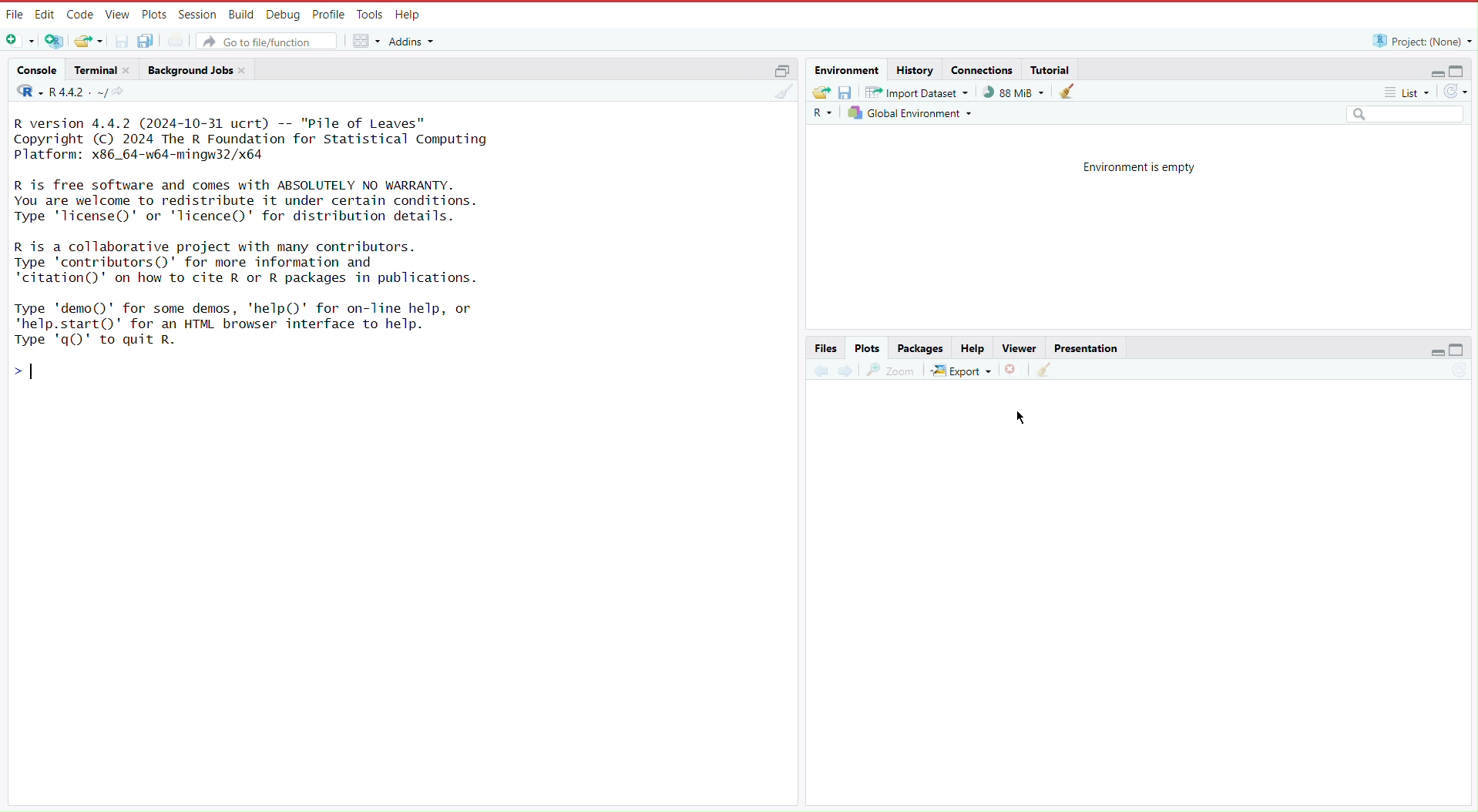 Image resolution: width=1478 pixels, height=812 pixels. I want to click on List, so click(1409, 95).